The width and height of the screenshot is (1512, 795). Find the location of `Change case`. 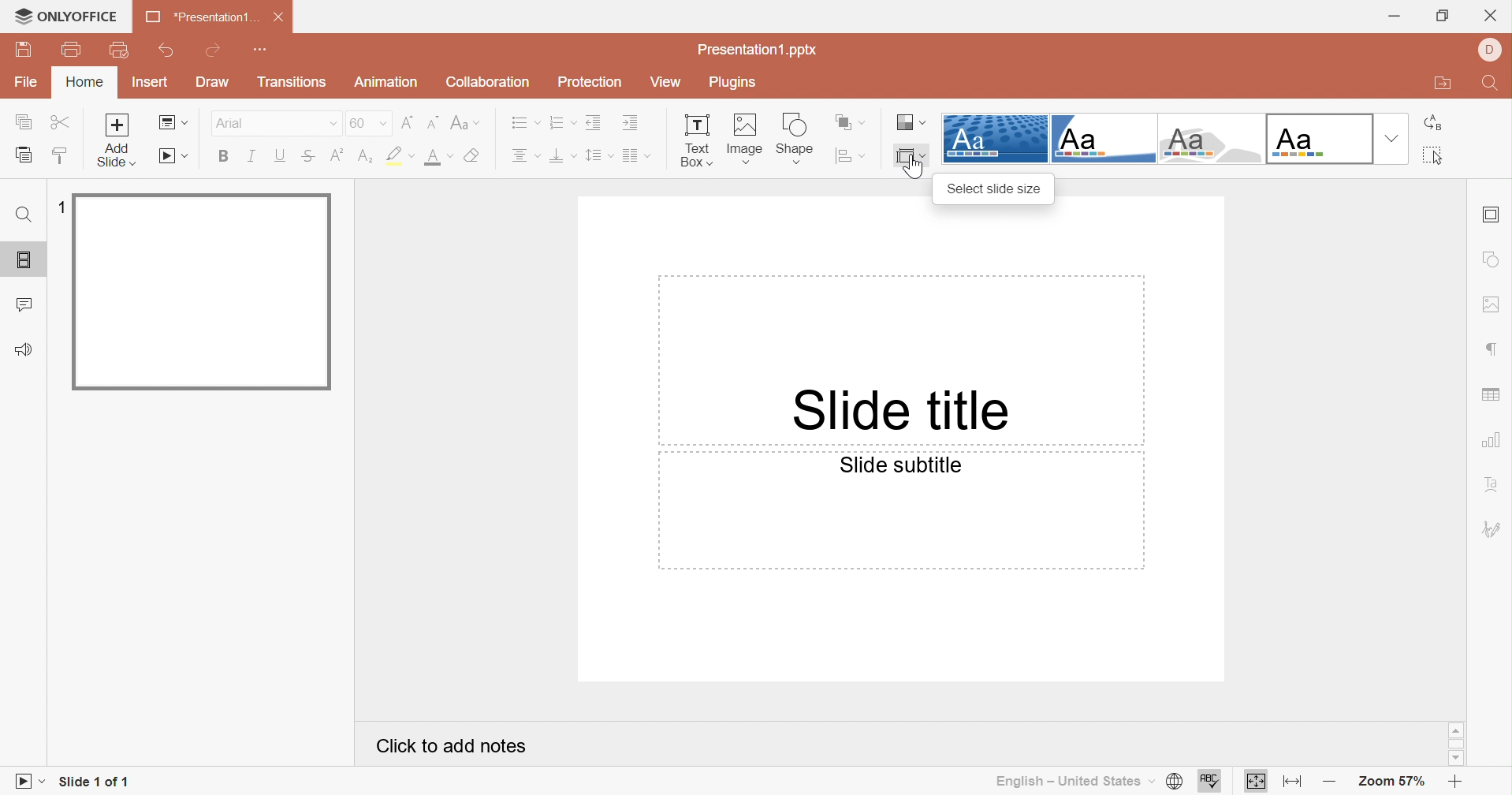

Change case is located at coordinates (464, 125).